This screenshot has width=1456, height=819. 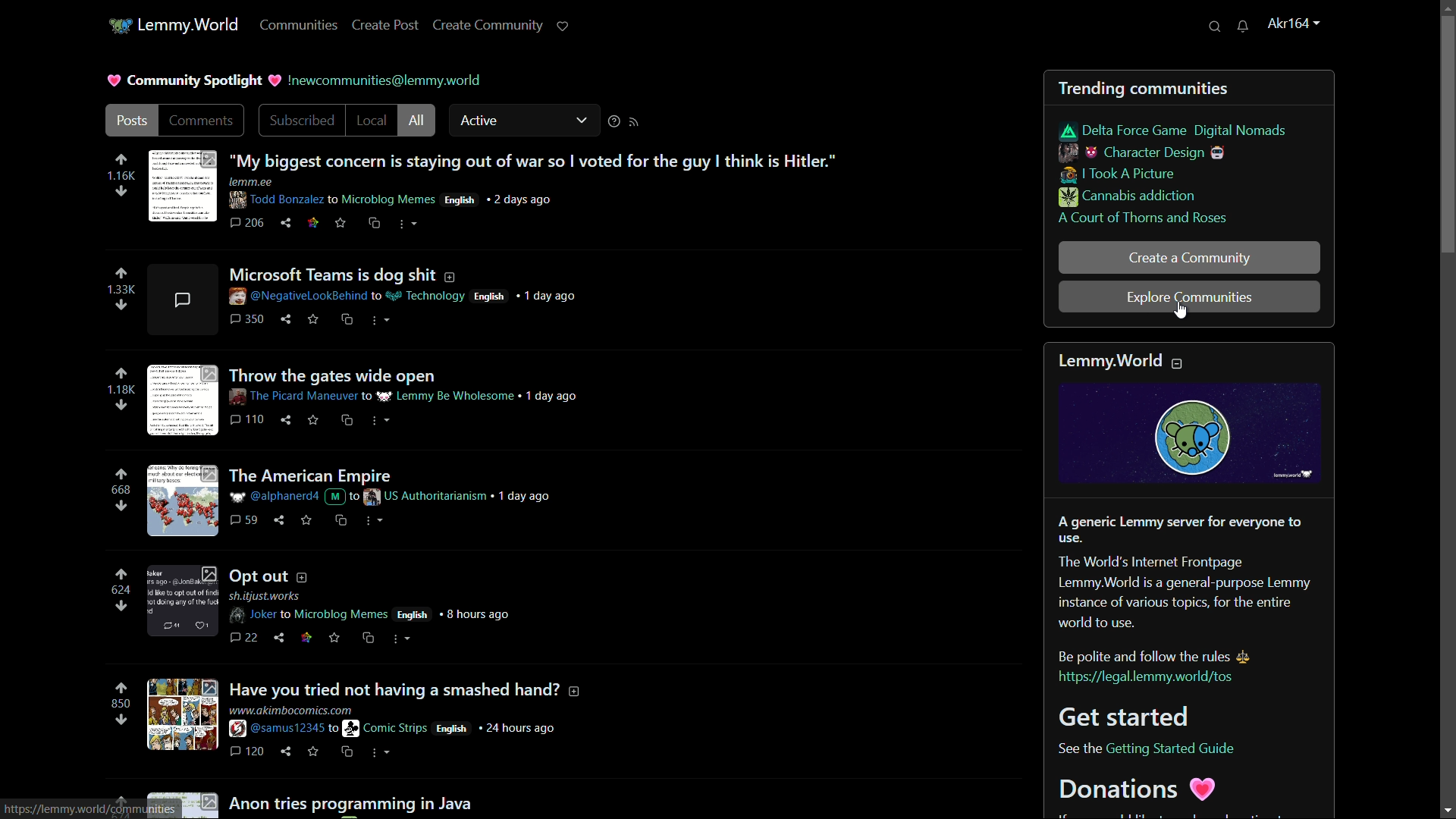 I want to click on url, so click(x=96, y=808).